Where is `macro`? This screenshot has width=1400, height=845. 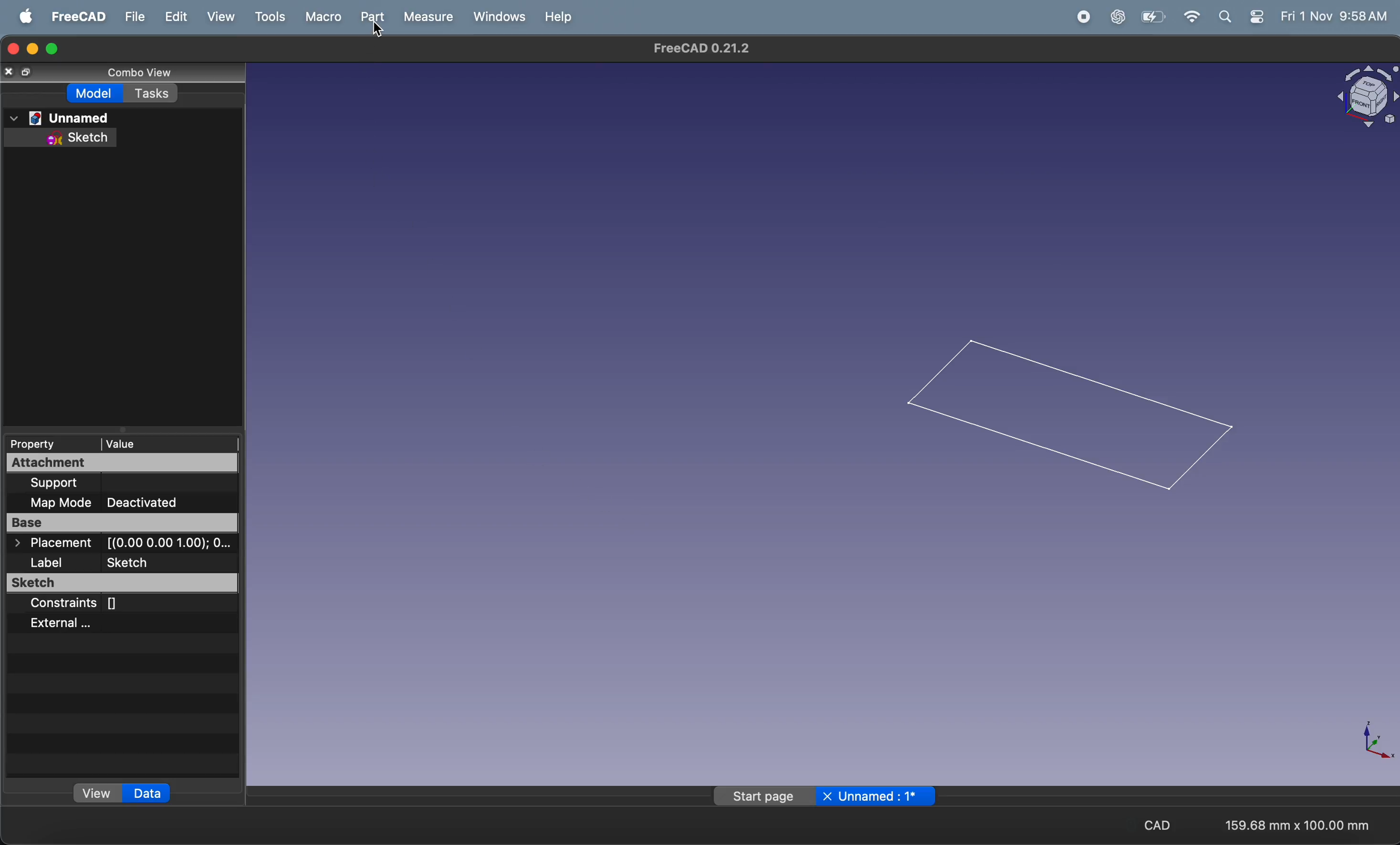 macro is located at coordinates (319, 17).